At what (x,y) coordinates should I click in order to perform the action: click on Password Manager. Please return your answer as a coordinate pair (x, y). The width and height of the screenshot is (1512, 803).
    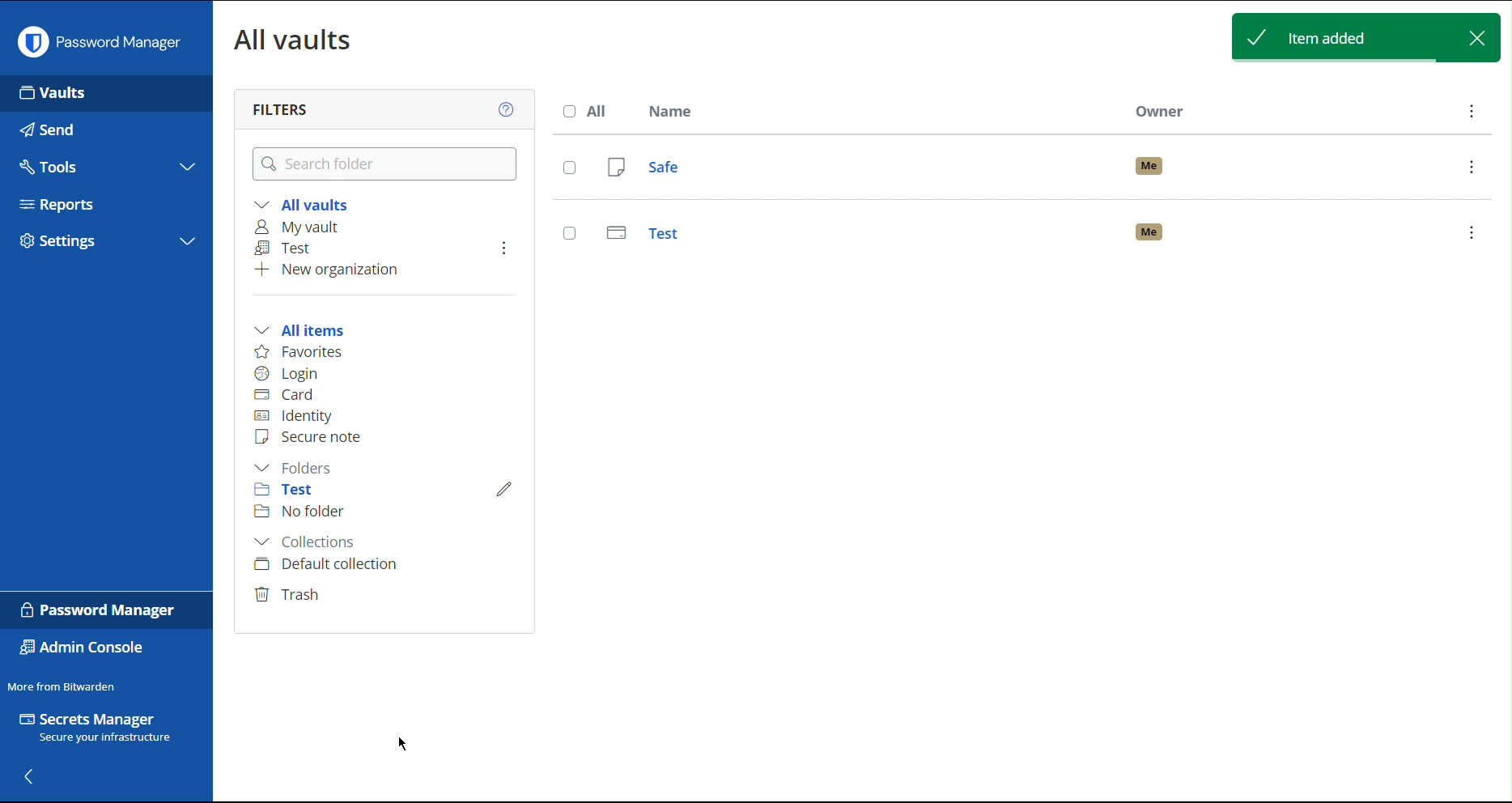
    Looking at the image, I should click on (99, 38).